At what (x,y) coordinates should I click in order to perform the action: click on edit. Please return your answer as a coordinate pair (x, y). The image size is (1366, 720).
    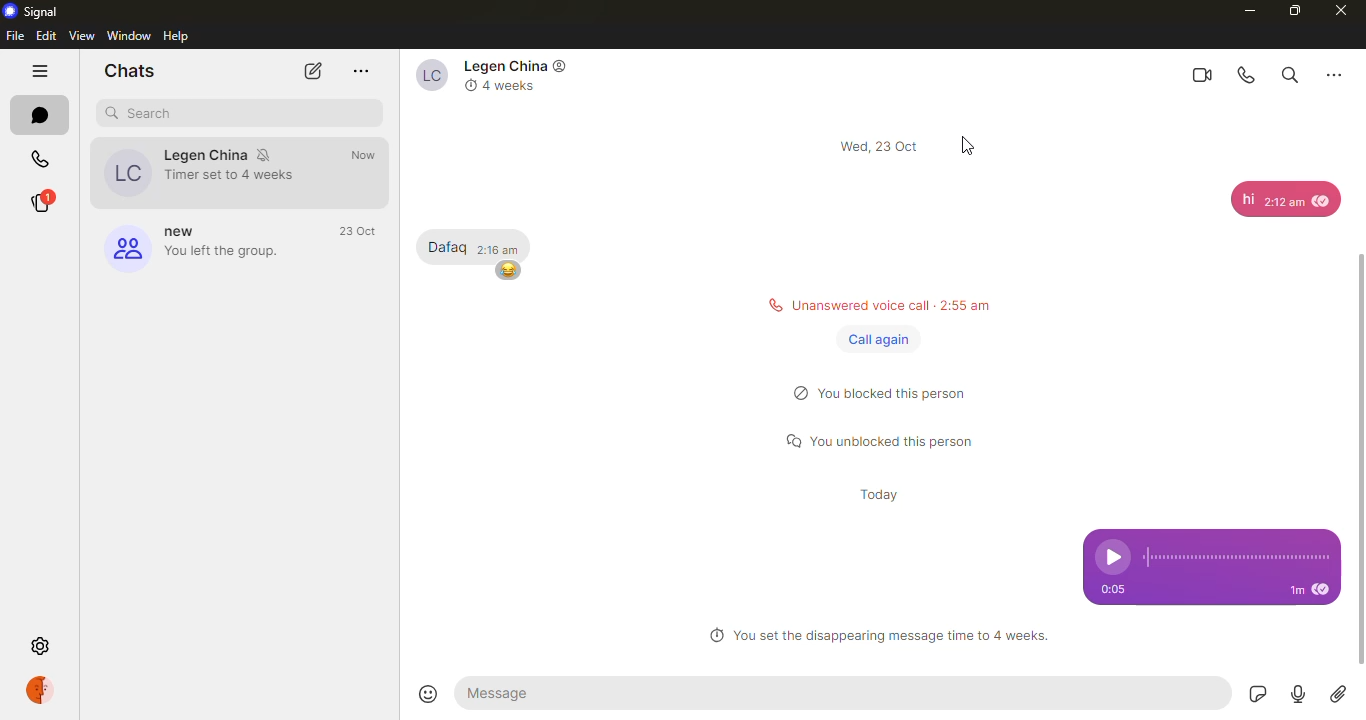
    Looking at the image, I should click on (45, 37).